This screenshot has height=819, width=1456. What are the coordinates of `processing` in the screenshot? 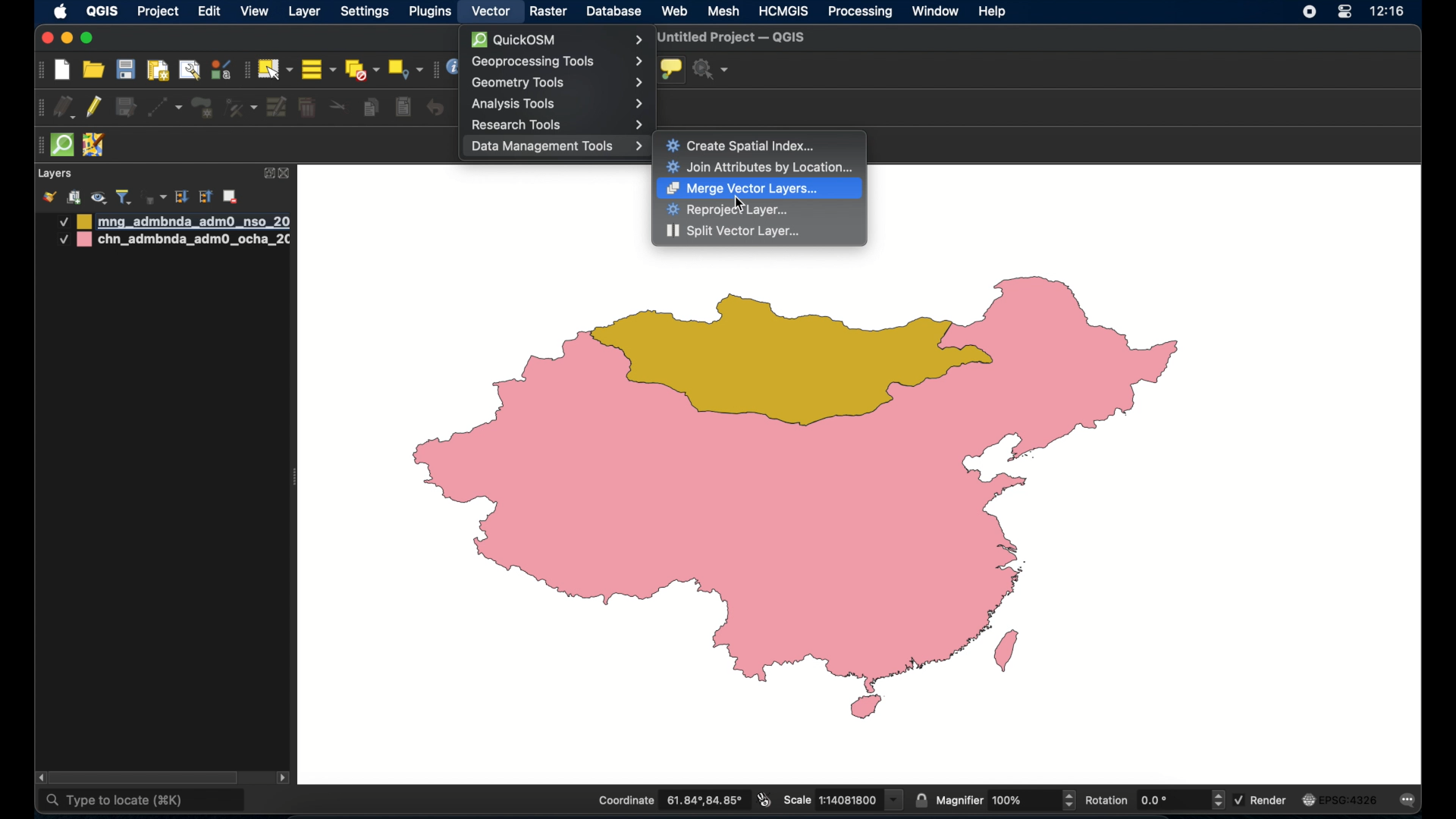 It's located at (861, 13).